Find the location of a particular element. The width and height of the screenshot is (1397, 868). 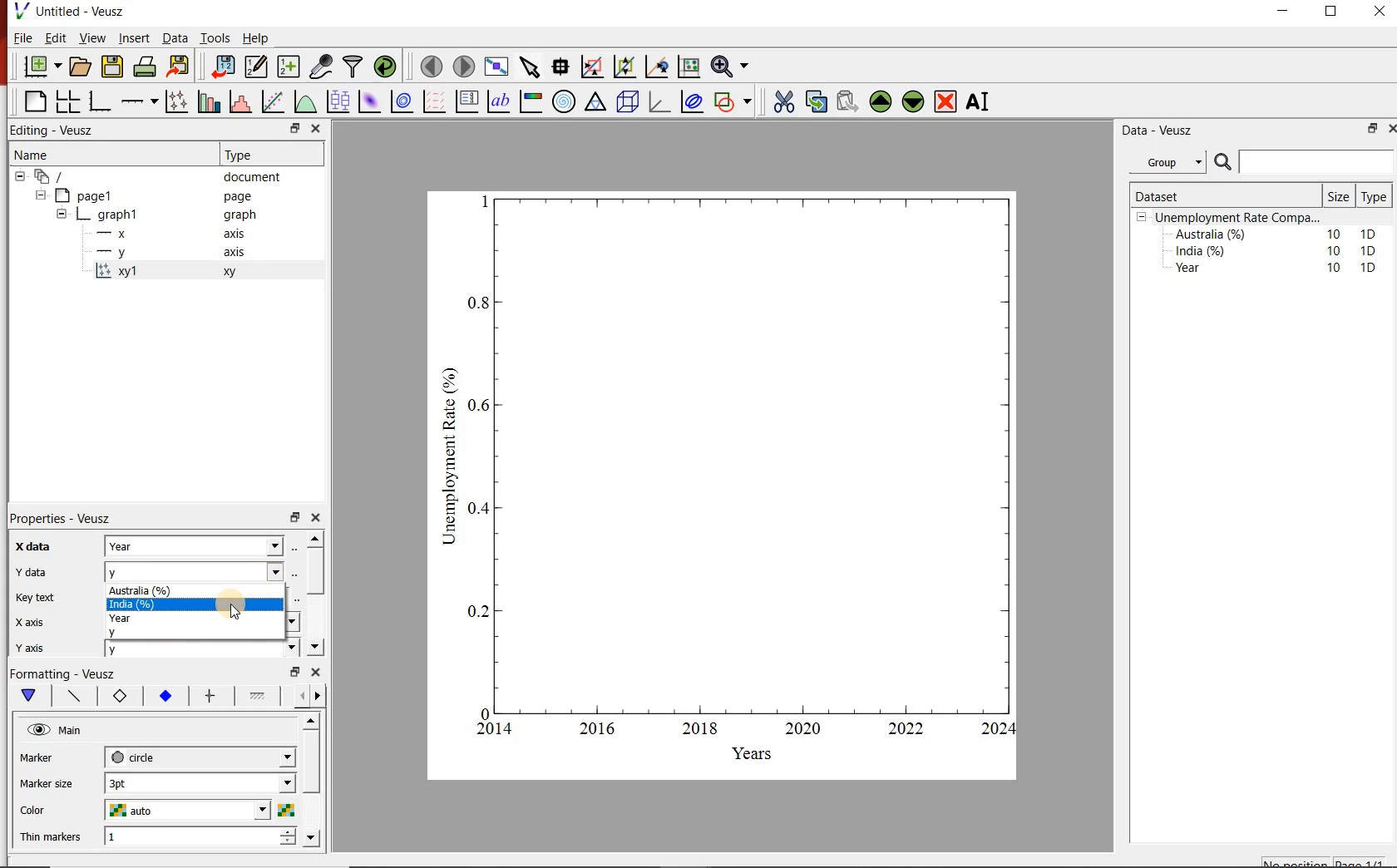

Unemployment Rate Compa... is located at coordinates (1239, 218).